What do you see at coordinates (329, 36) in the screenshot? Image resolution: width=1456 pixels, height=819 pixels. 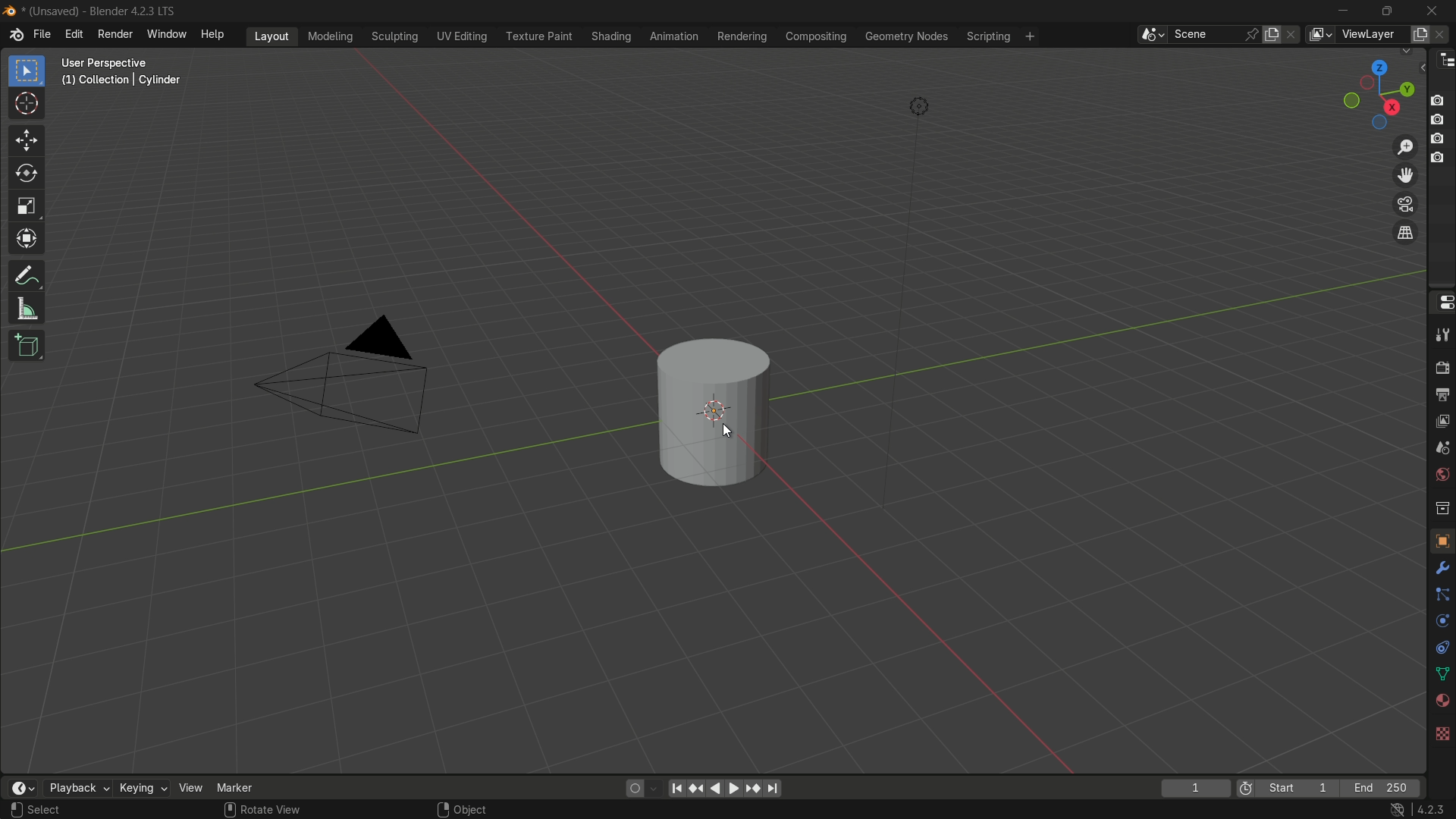 I see `modeling` at bounding box center [329, 36].